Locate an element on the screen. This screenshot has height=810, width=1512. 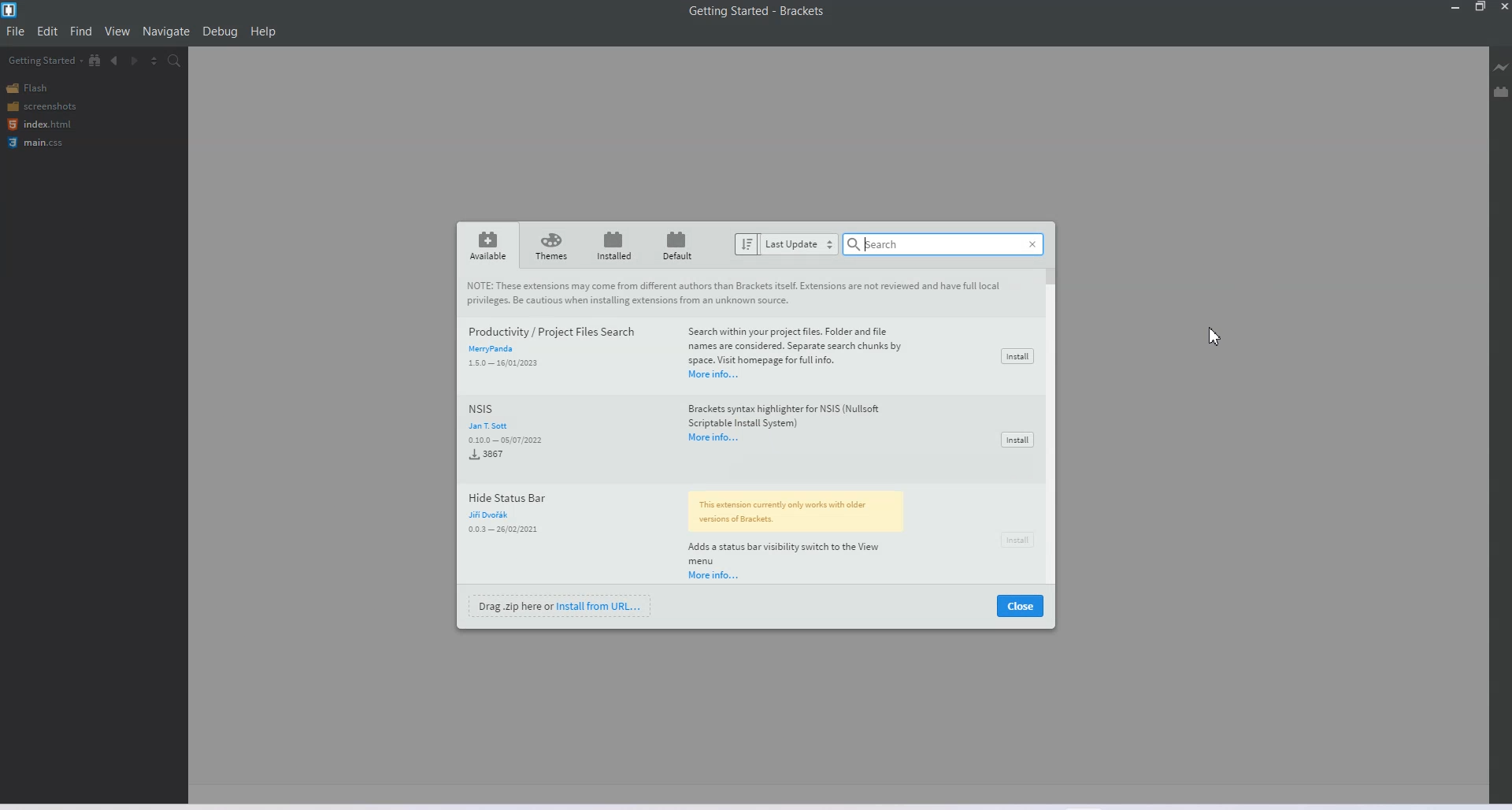
search bar is located at coordinates (943, 244).